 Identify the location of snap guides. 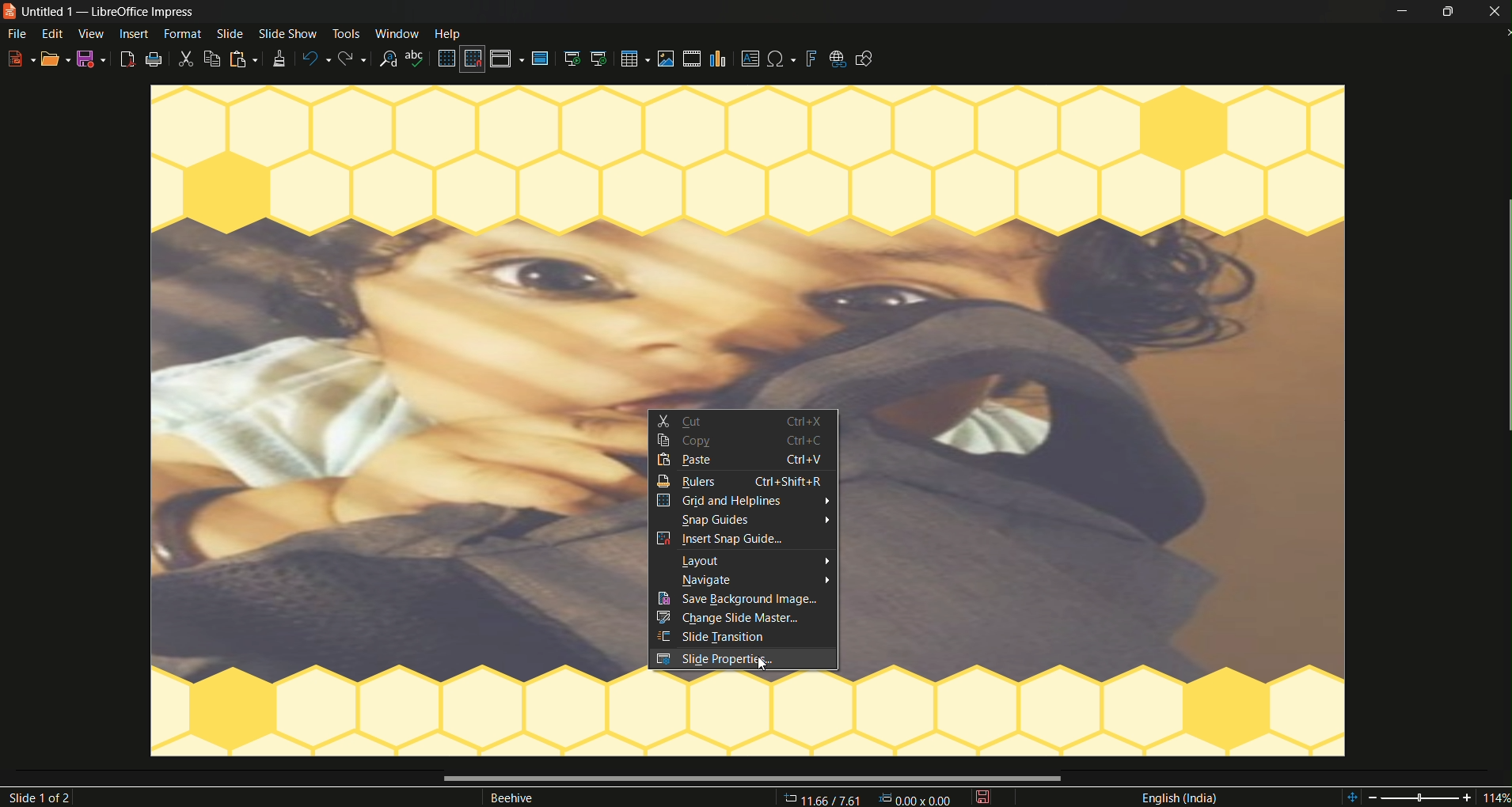
(708, 521).